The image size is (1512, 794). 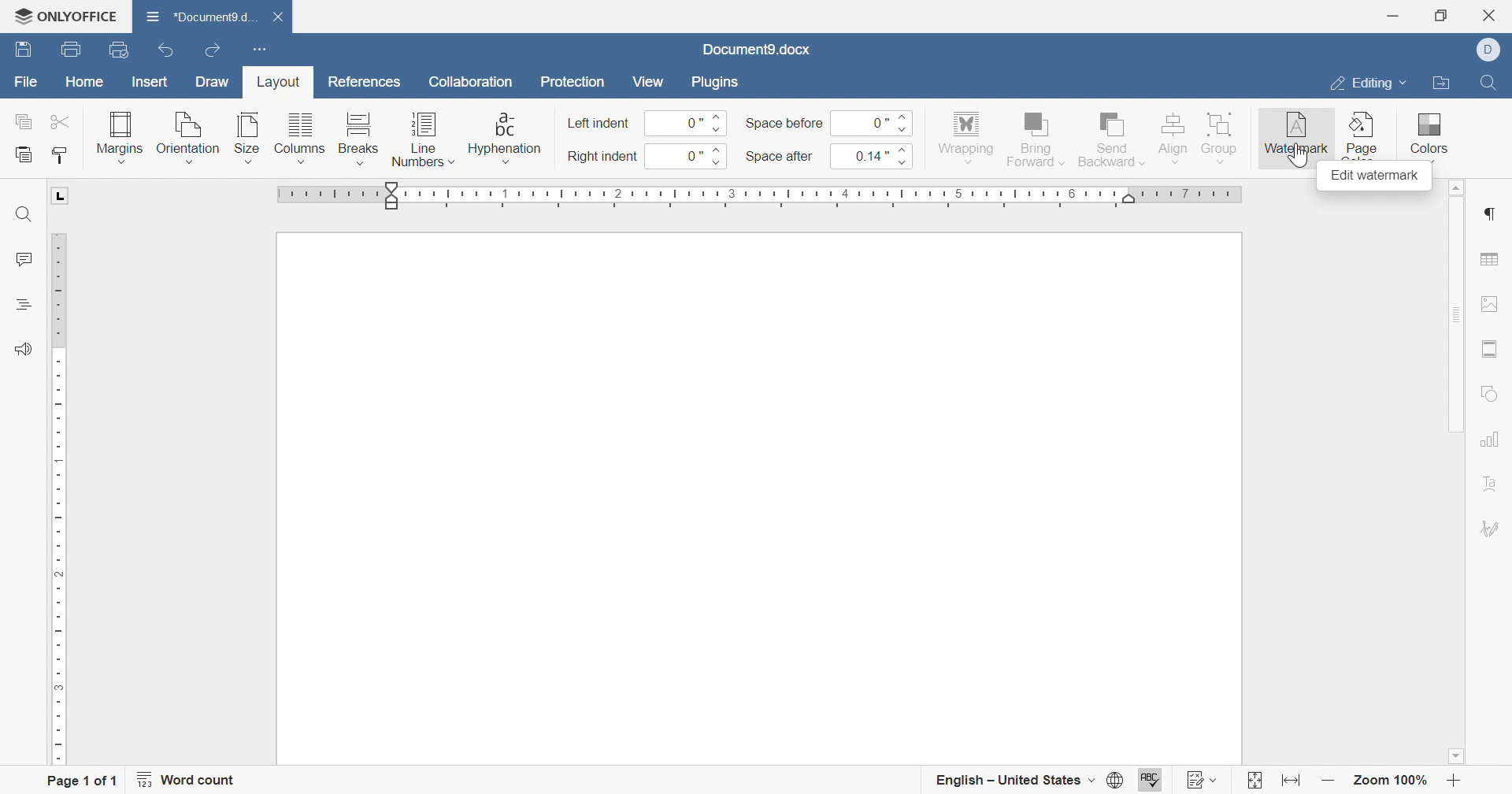 I want to click on view, so click(x=647, y=81).